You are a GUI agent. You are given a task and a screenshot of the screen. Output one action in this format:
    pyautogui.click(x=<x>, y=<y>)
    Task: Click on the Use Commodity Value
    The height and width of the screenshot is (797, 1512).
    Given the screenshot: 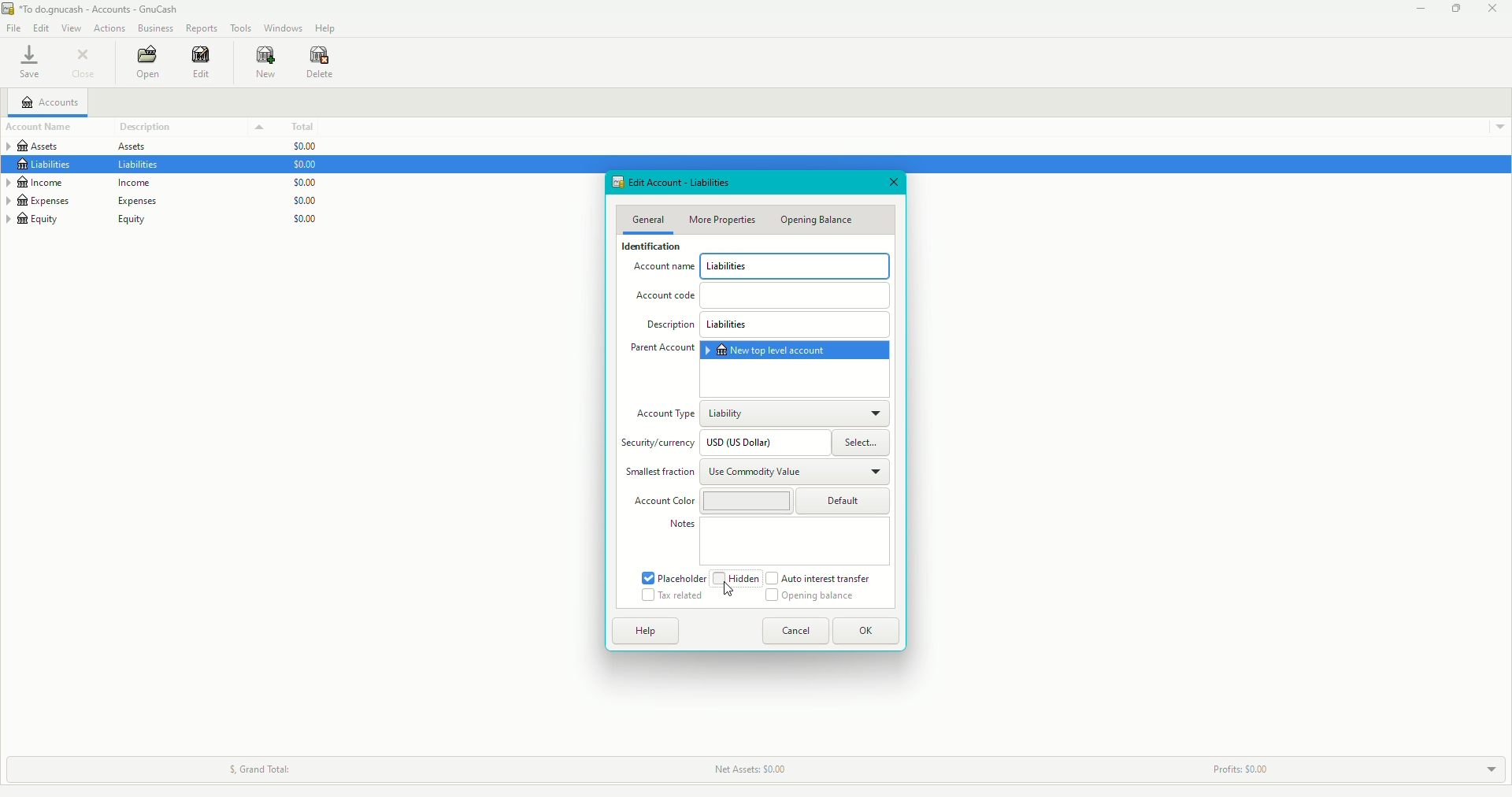 What is the action you would take?
    pyautogui.click(x=799, y=473)
    